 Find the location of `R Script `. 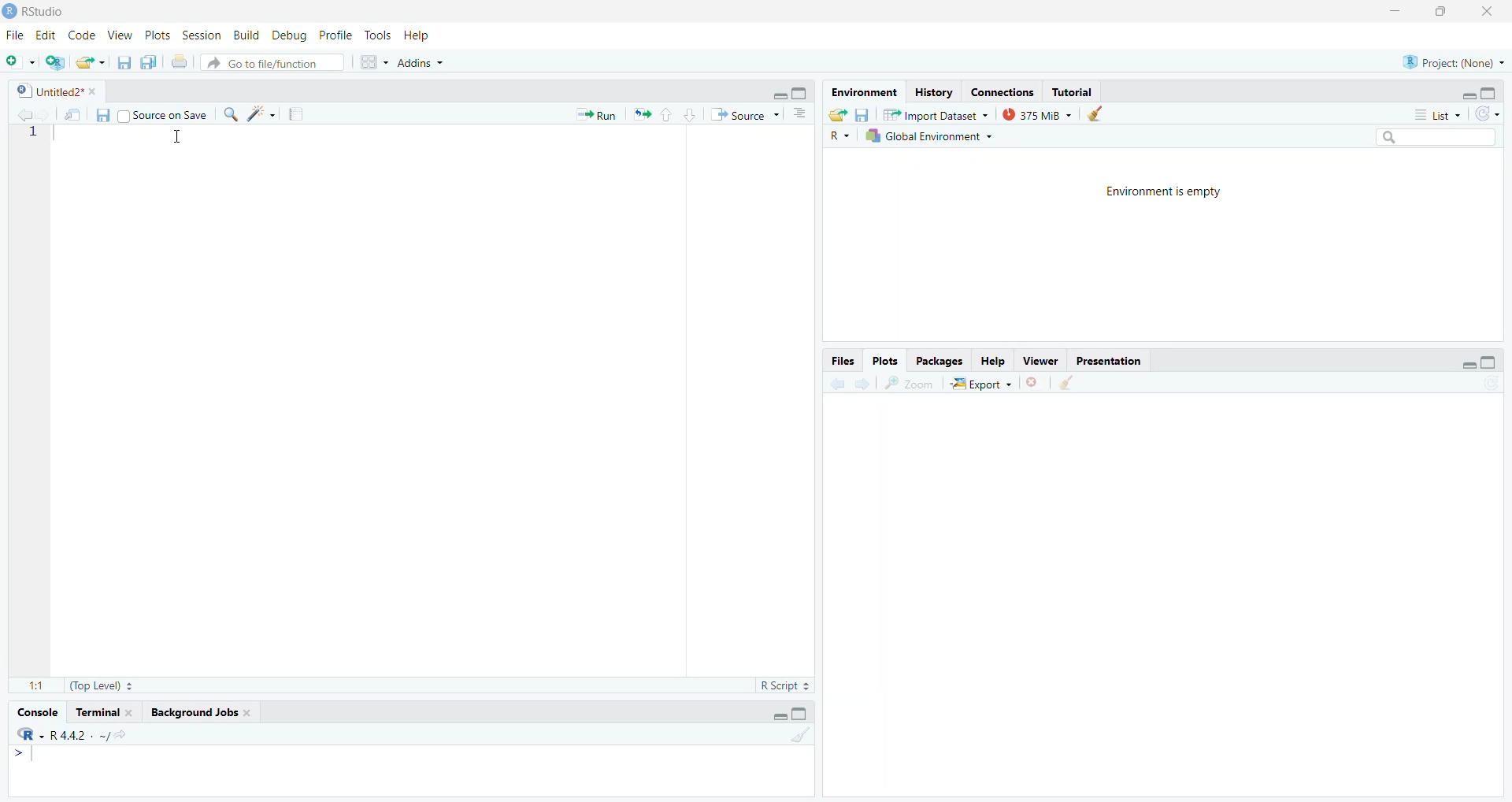

R Script  is located at coordinates (781, 686).